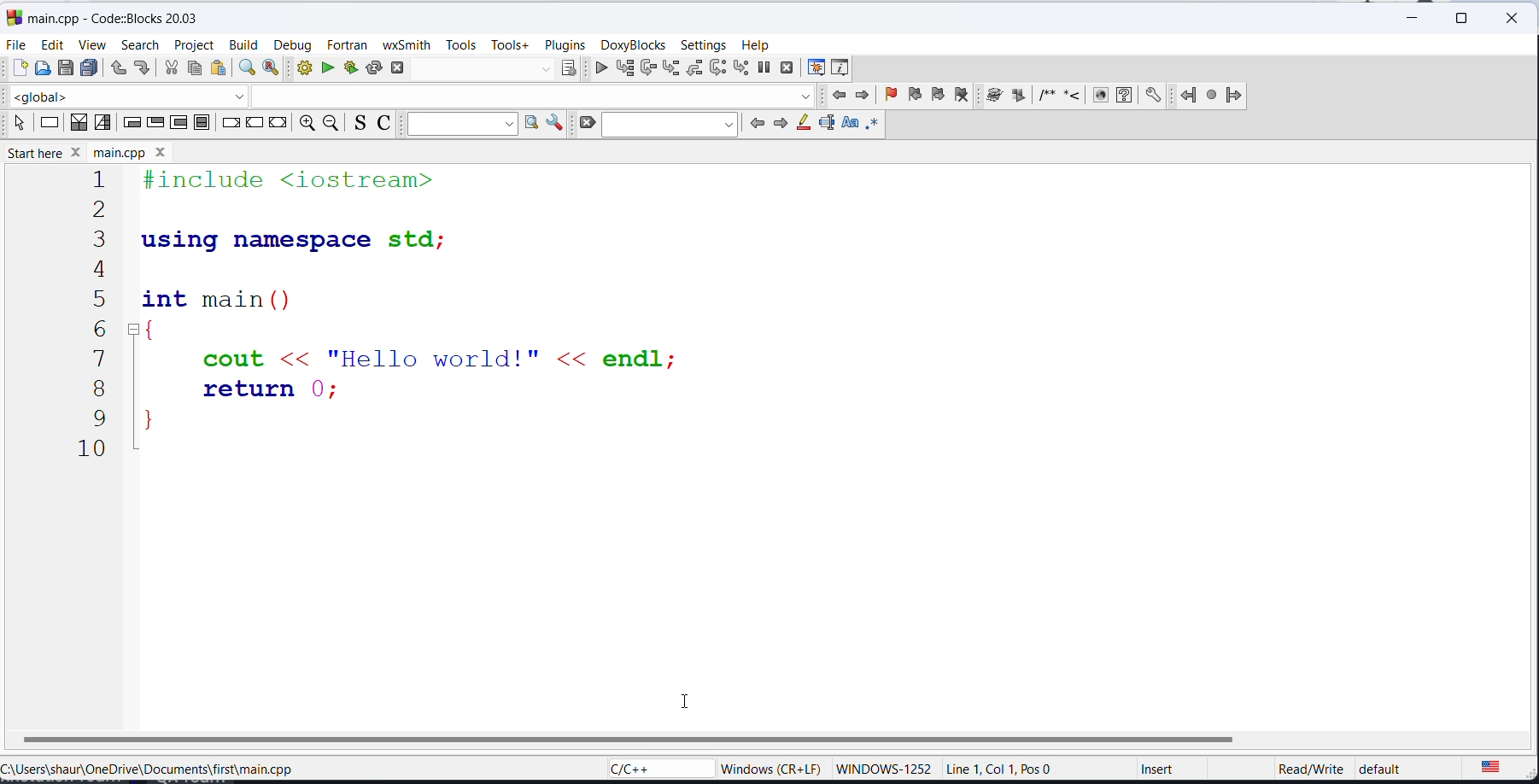 The image size is (1539, 784). Describe the element at coordinates (1186, 97) in the screenshot. I see `jump previous` at that location.